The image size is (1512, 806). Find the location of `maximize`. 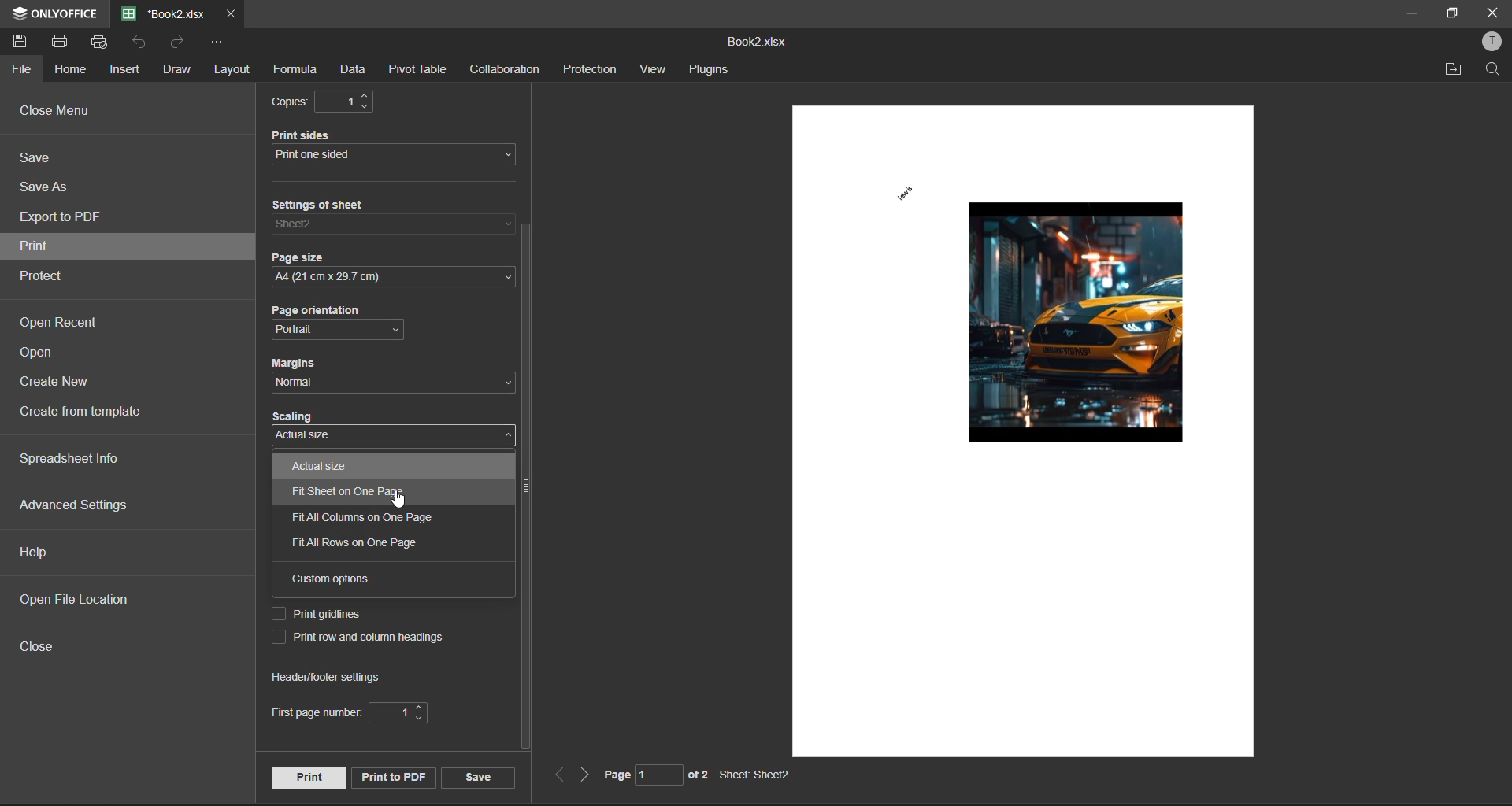

maximize is located at coordinates (1450, 14).